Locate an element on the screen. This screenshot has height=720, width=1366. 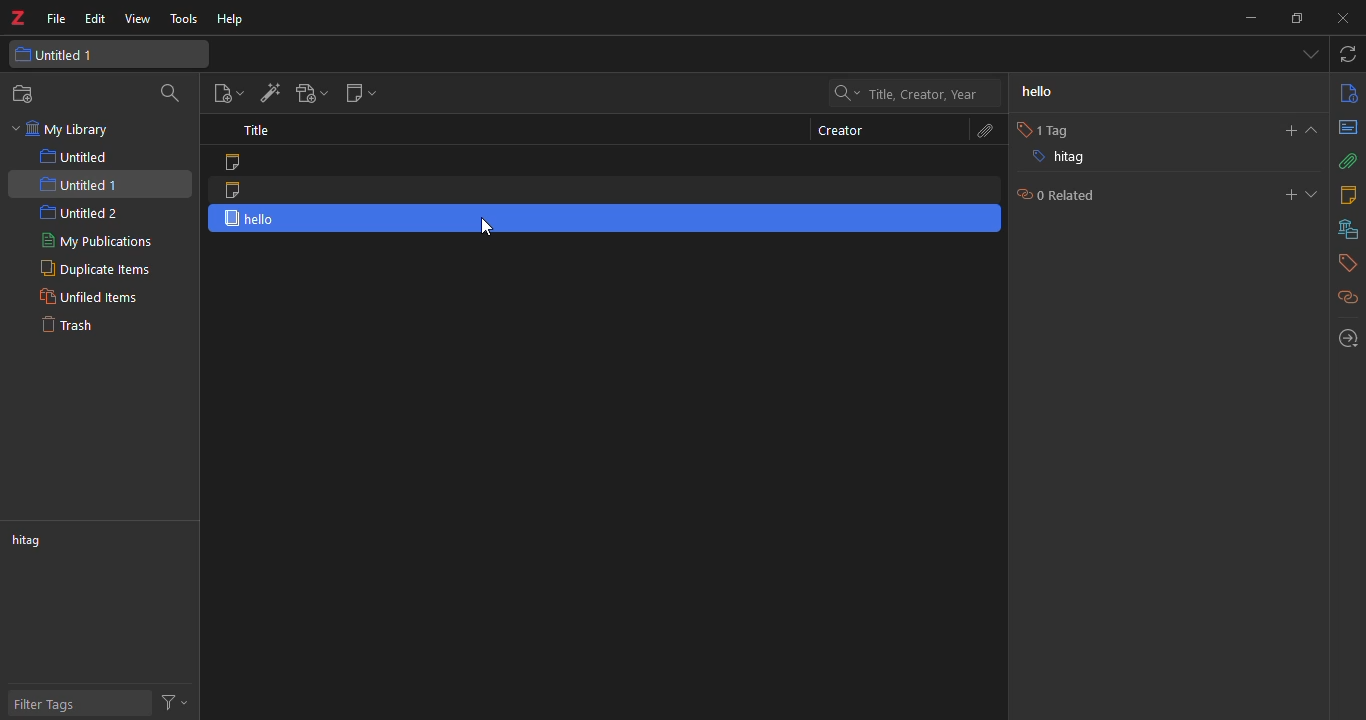
tabs is located at coordinates (1309, 53).